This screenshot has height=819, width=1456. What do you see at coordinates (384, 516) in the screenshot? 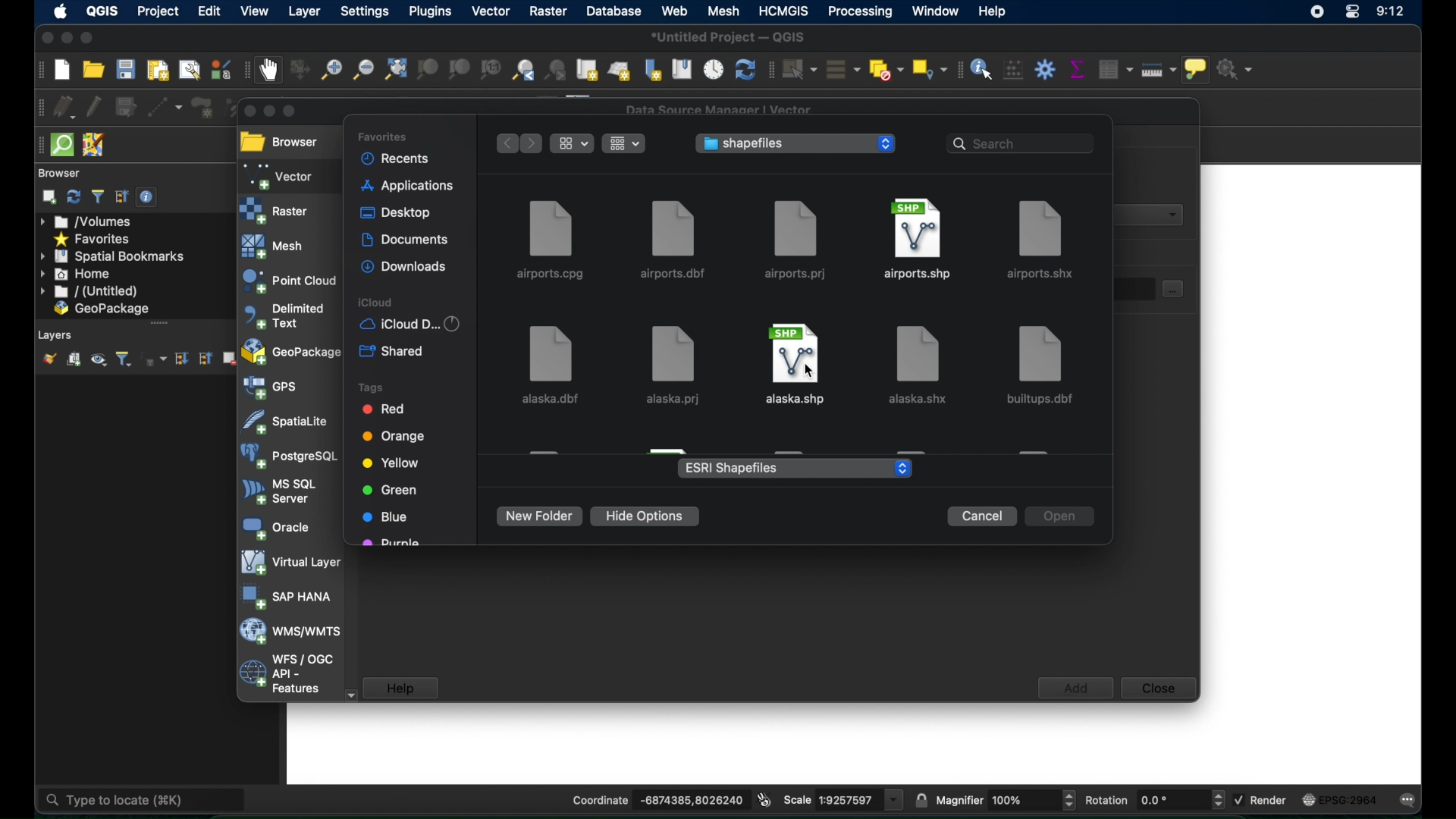
I see `blue` at bounding box center [384, 516].